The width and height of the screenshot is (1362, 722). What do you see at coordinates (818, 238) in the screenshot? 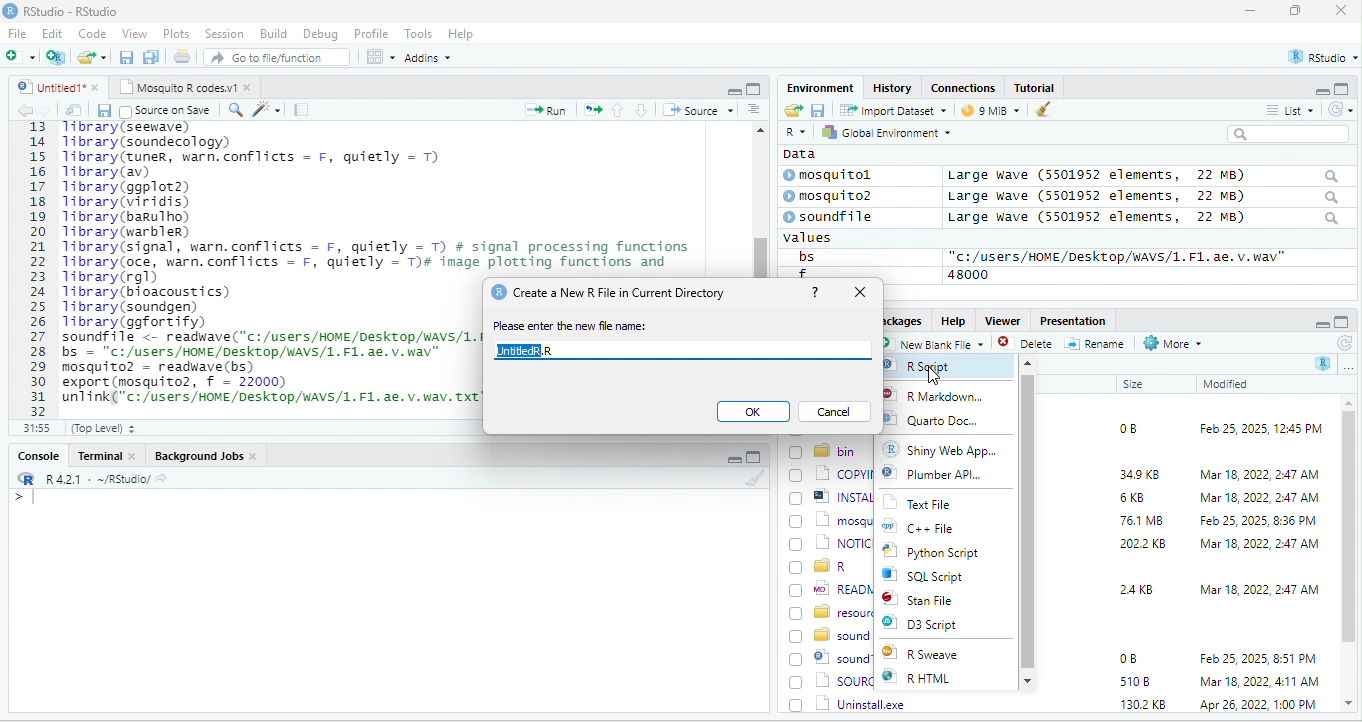
I see `values` at bounding box center [818, 238].